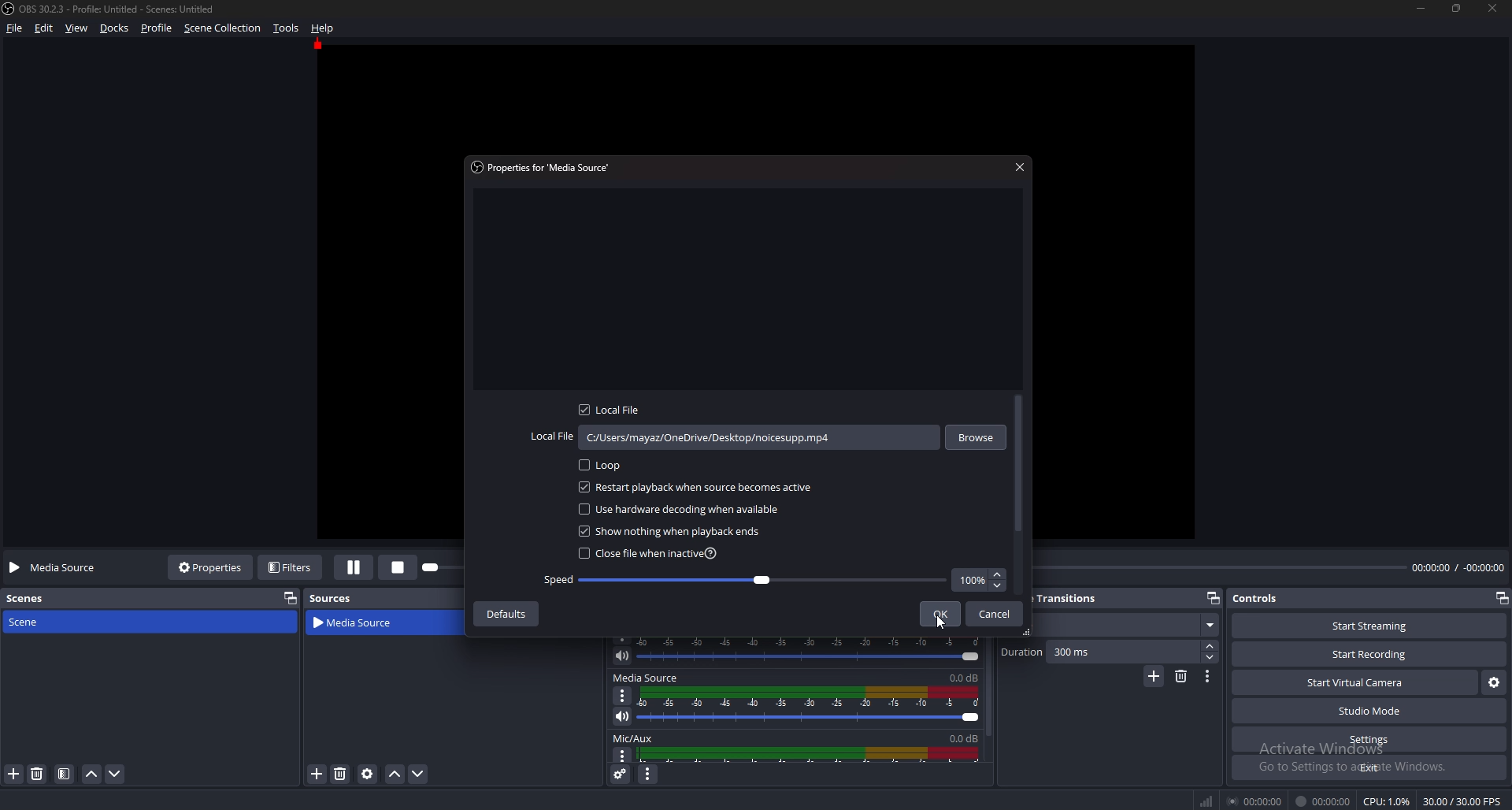 Image resolution: width=1512 pixels, height=810 pixels. Describe the element at coordinates (813, 649) in the screenshot. I see `Audio soundbar` at that location.